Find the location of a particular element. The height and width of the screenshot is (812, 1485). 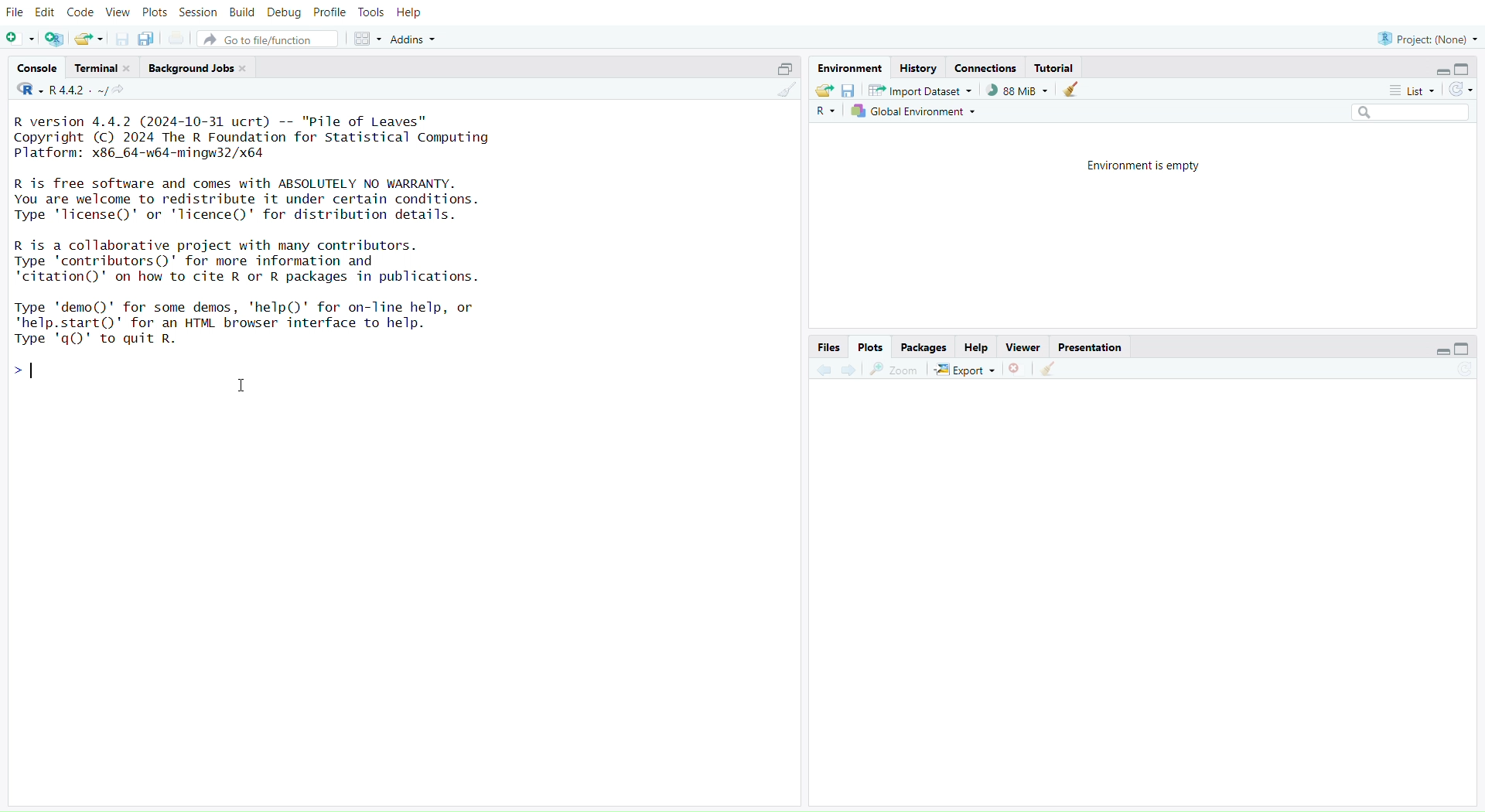

environment is located at coordinates (850, 70).